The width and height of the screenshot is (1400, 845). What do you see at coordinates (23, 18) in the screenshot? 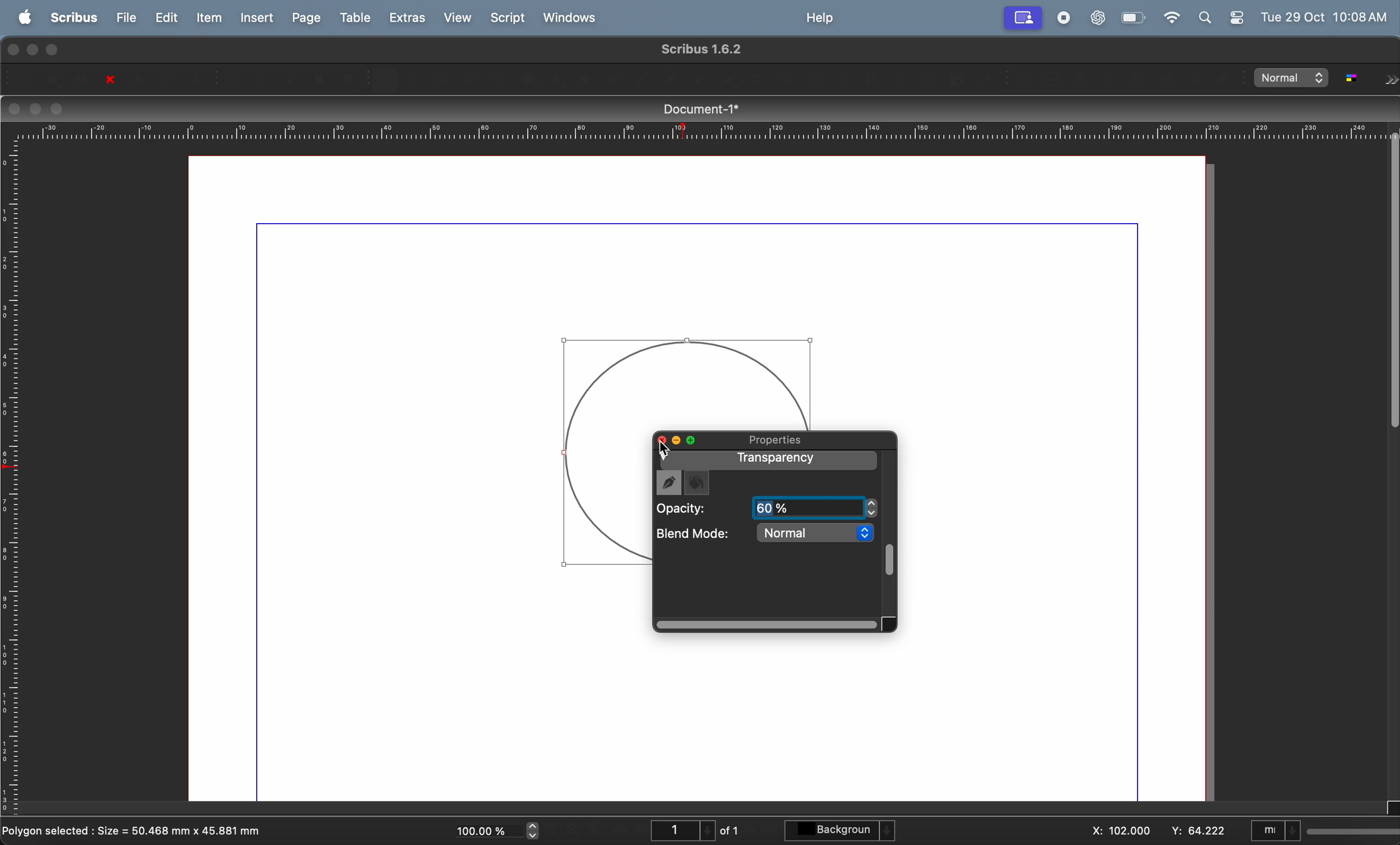
I see `apple menu` at bounding box center [23, 18].